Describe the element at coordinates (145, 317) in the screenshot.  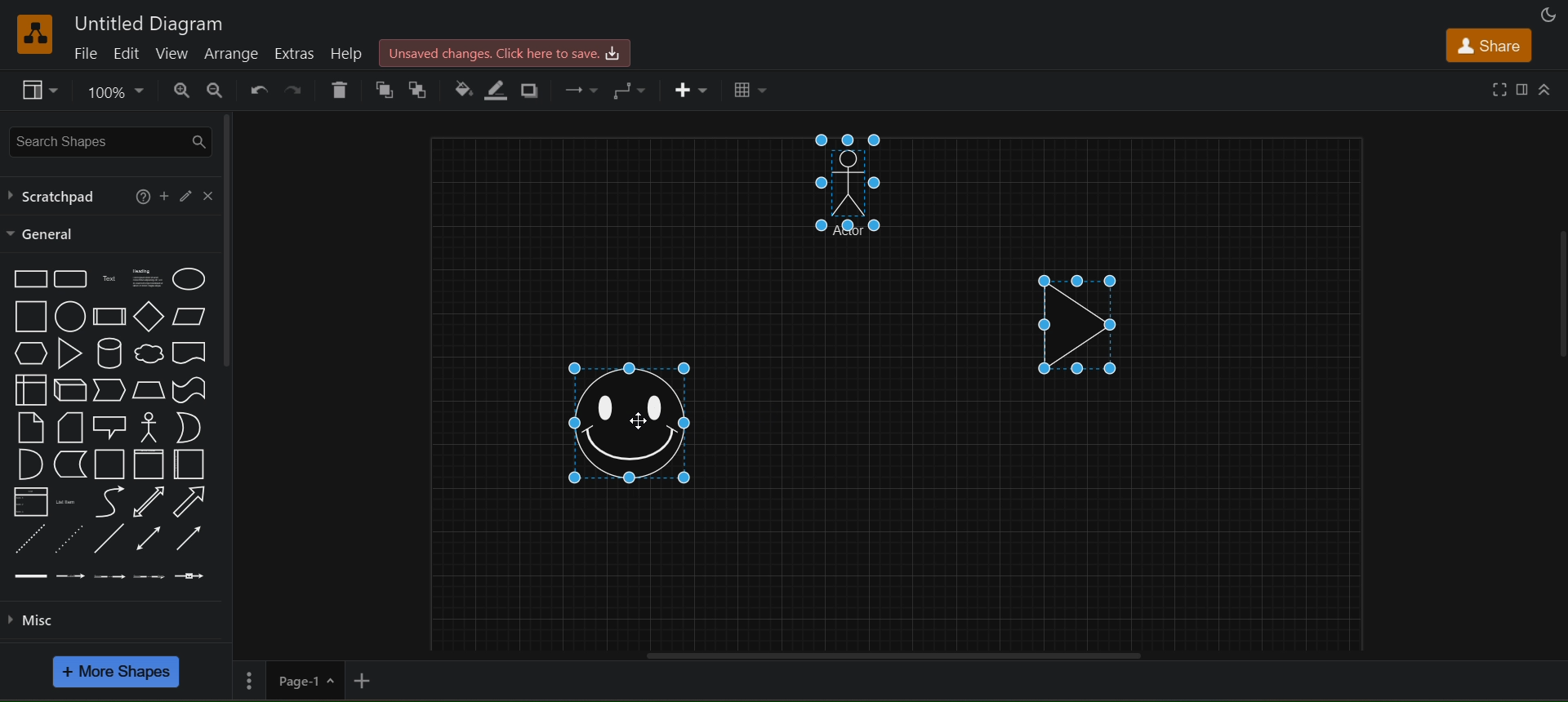
I see `diamond` at that location.